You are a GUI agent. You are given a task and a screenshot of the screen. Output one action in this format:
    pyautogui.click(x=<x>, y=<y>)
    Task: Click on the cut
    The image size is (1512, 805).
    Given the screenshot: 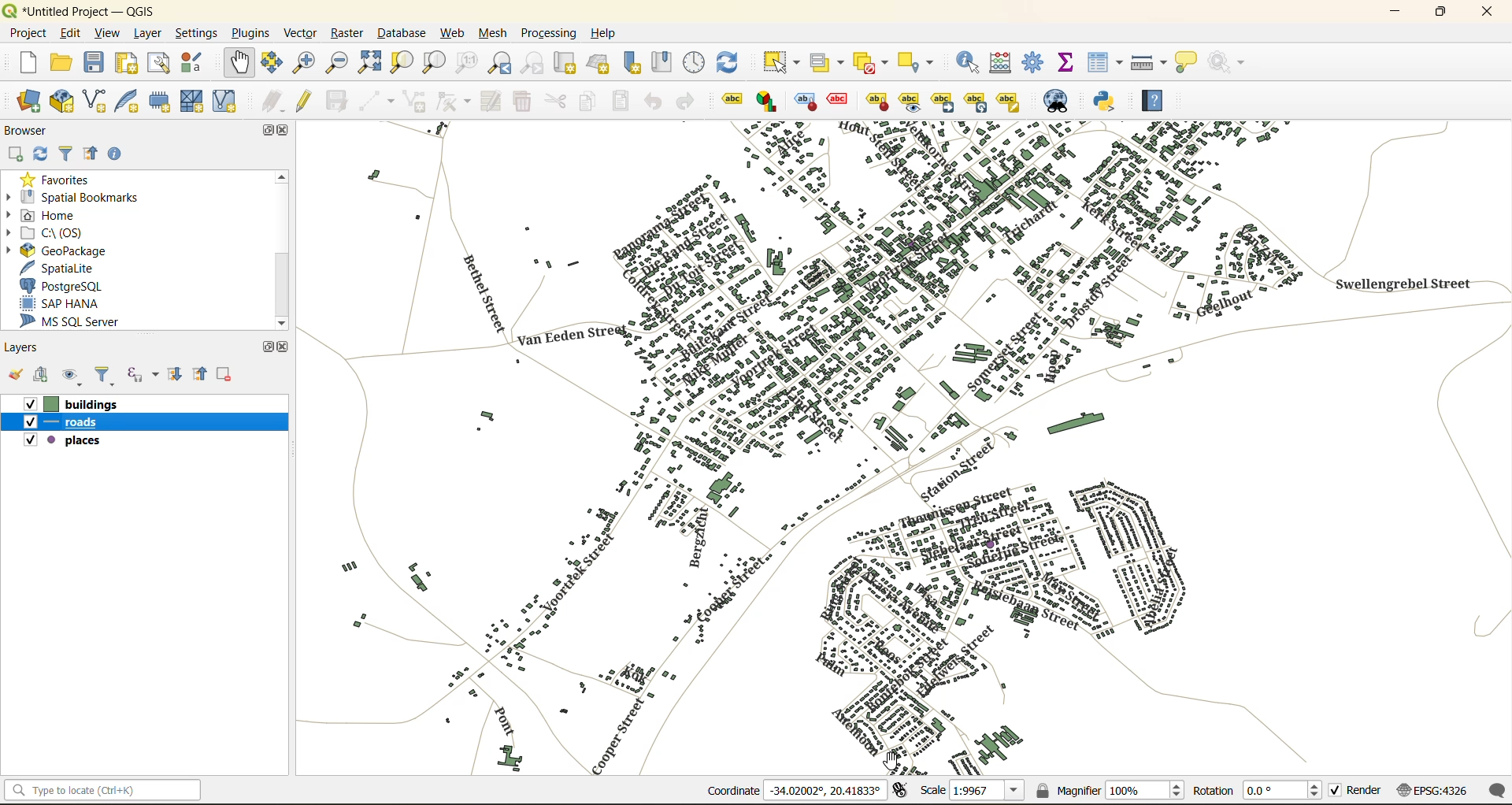 What is the action you would take?
    pyautogui.click(x=558, y=102)
    